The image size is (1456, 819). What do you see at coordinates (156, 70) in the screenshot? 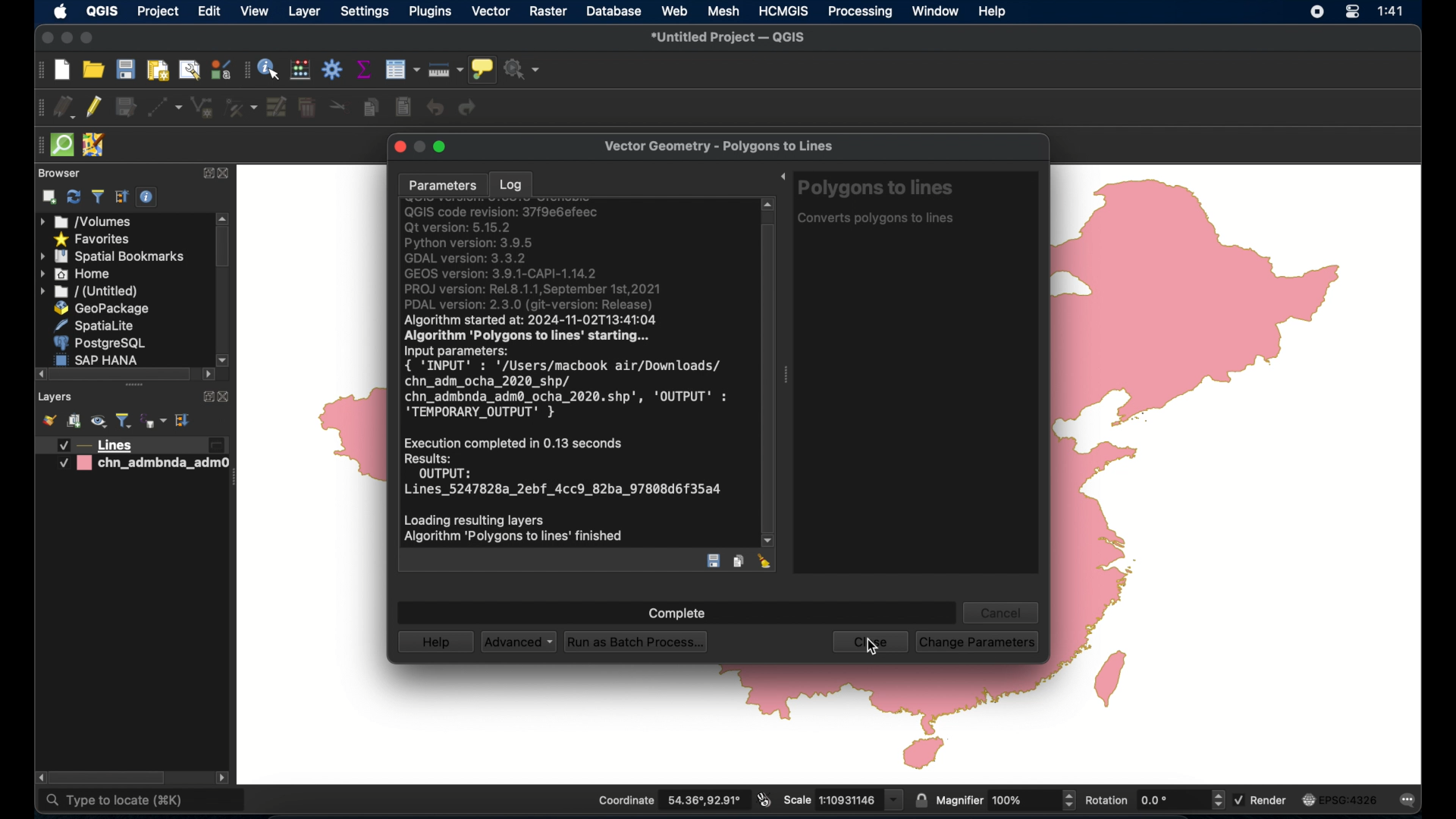
I see `print layout` at bounding box center [156, 70].